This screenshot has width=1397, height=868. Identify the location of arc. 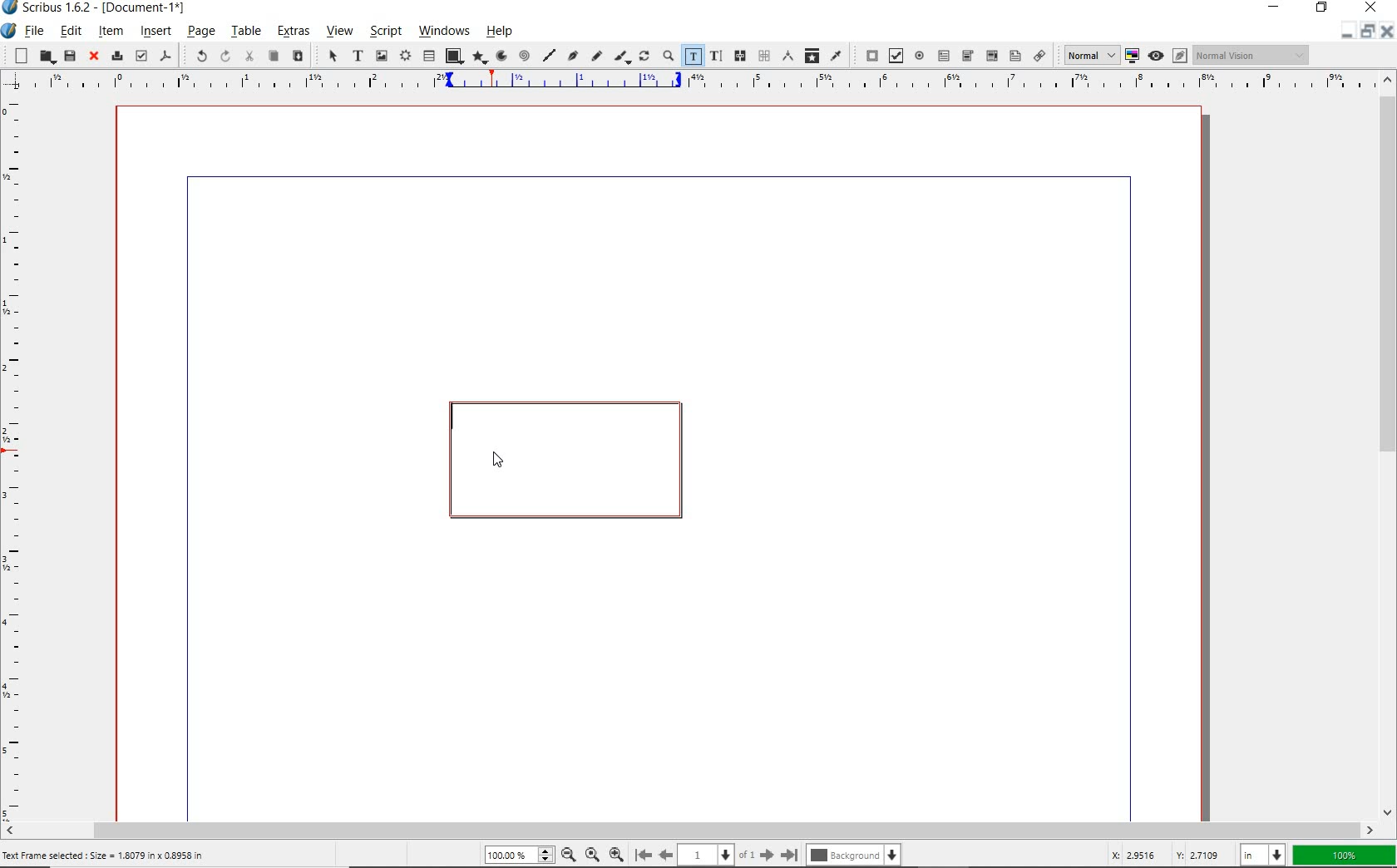
(502, 56).